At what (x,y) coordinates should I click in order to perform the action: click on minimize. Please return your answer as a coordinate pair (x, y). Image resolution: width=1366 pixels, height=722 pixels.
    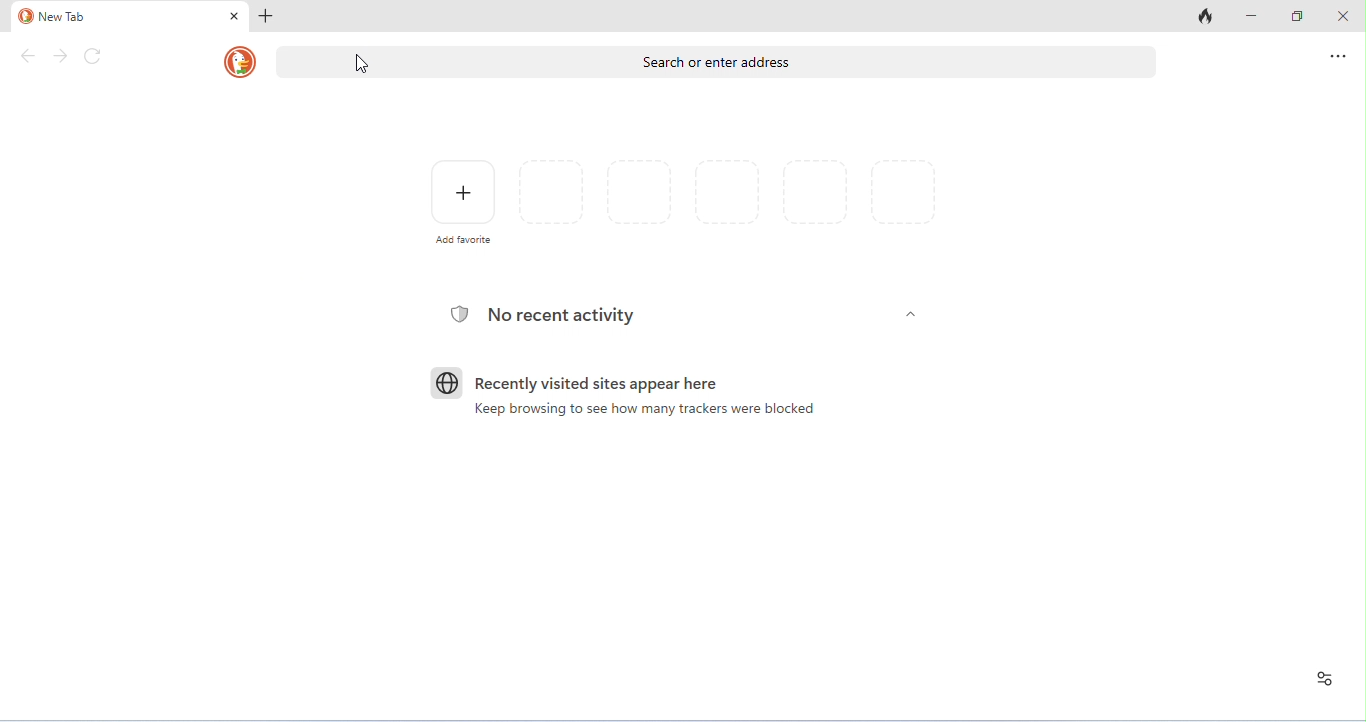
    Looking at the image, I should click on (1256, 14).